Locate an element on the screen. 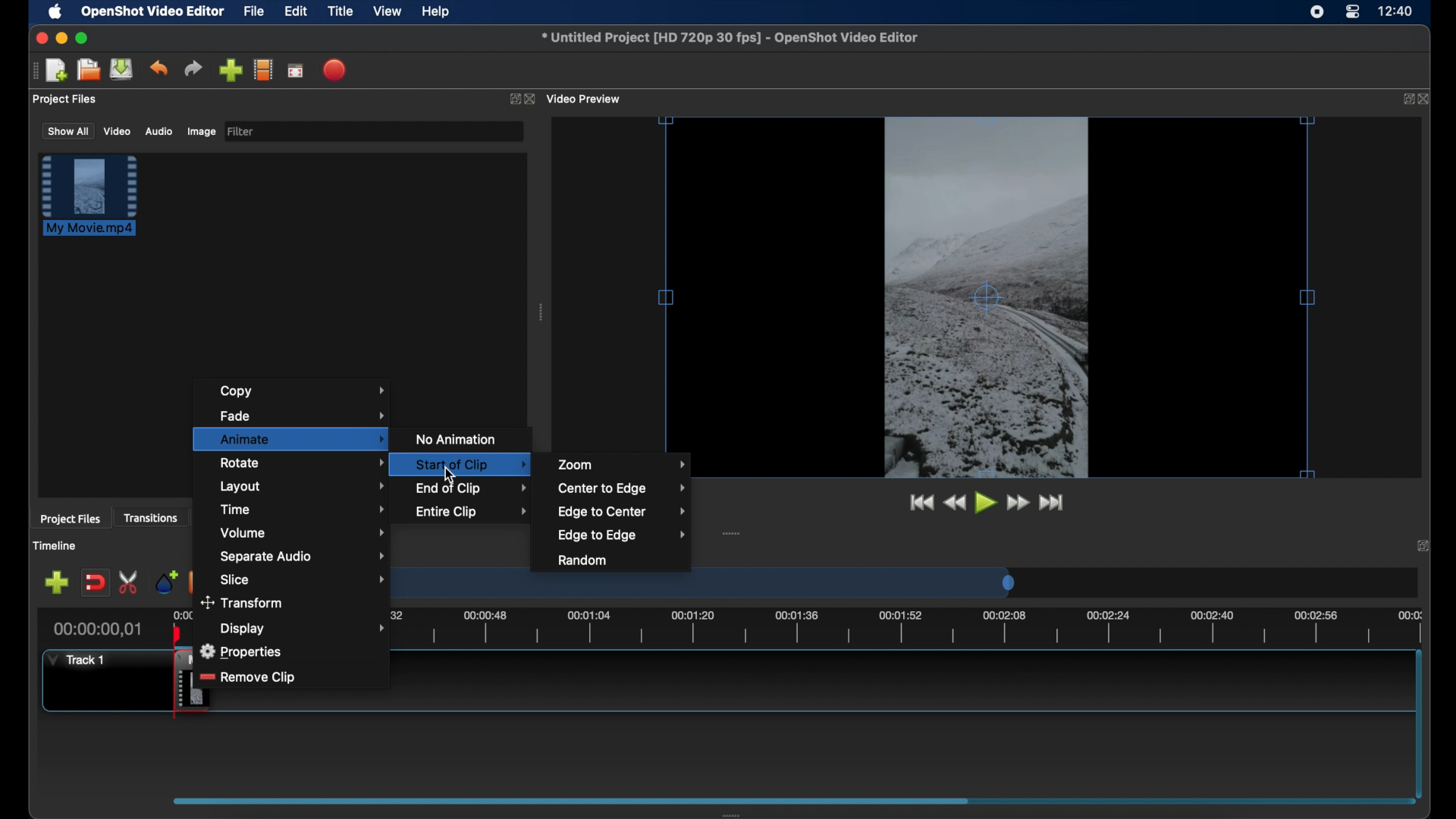 The height and width of the screenshot is (819, 1456). close is located at coordinates (39, 38).